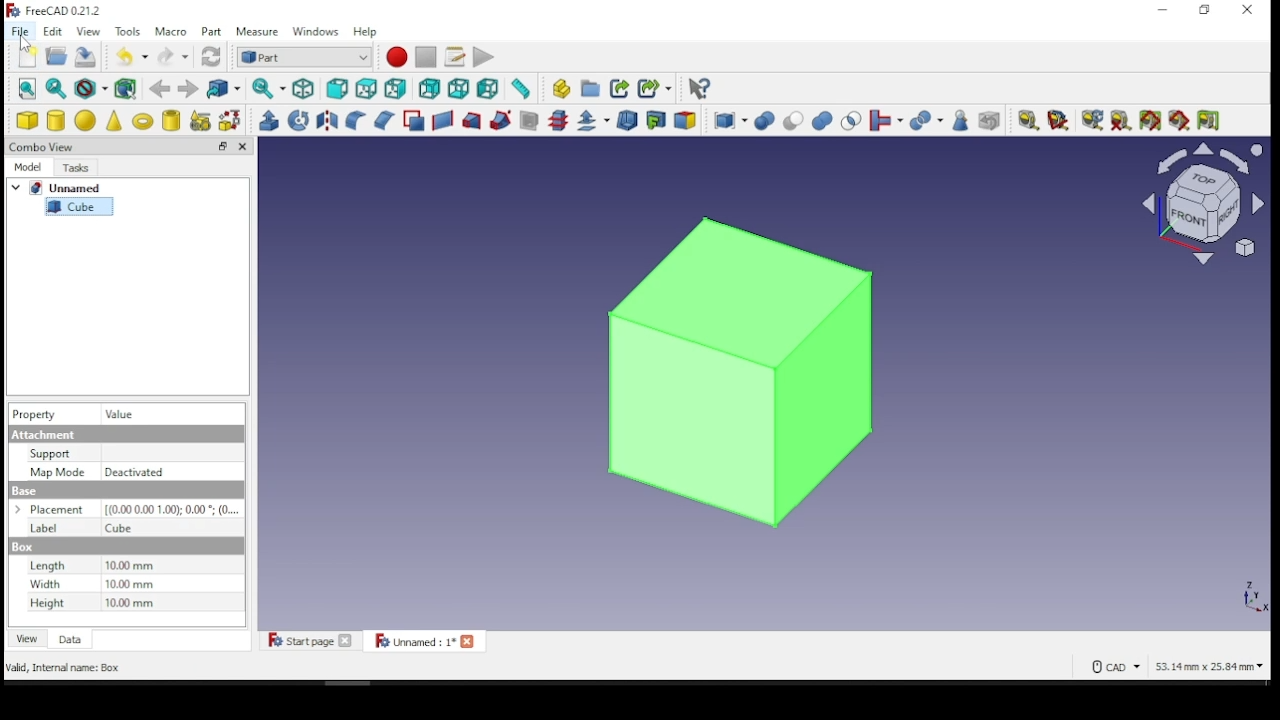 The width and height of the screenshot is (1280, 720). What do you see at coordinates (355, 120) in the screenshot?
I see `fillet` at bounding box center [355, 120].